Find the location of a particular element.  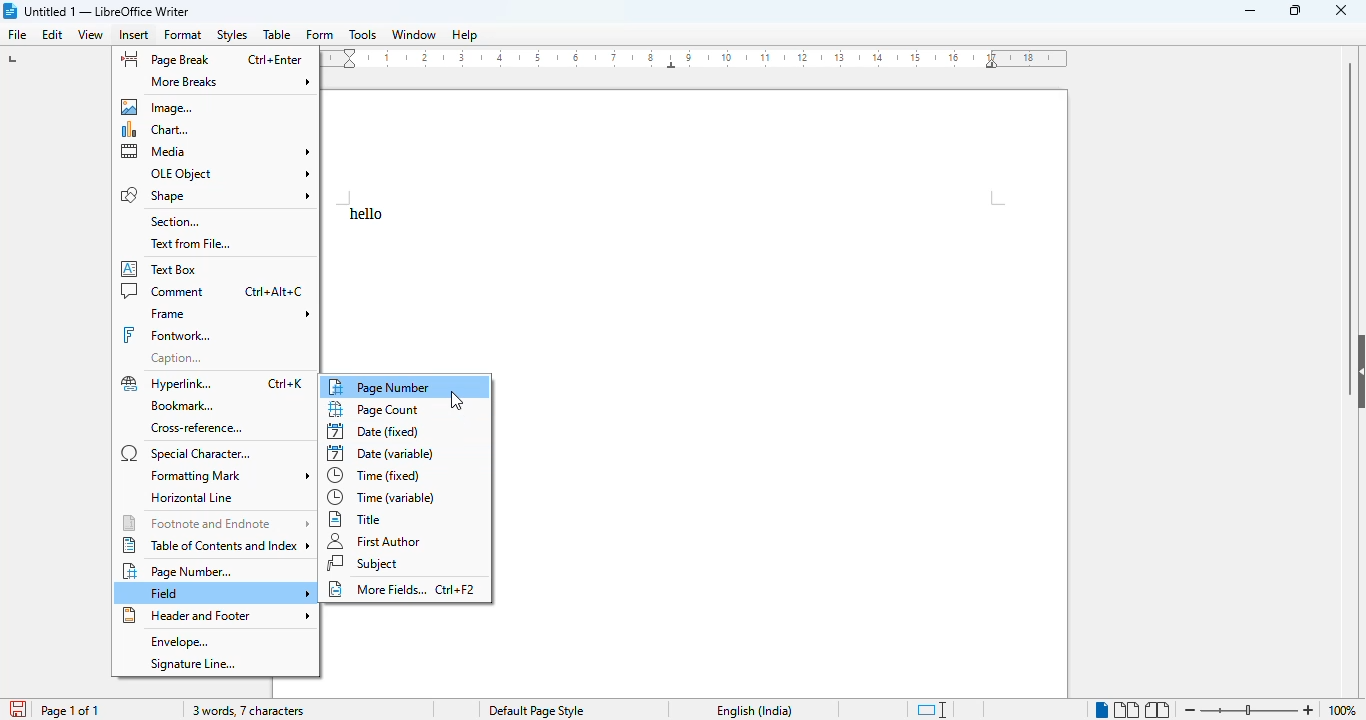

more breaks is located at coordinates (230, 81).